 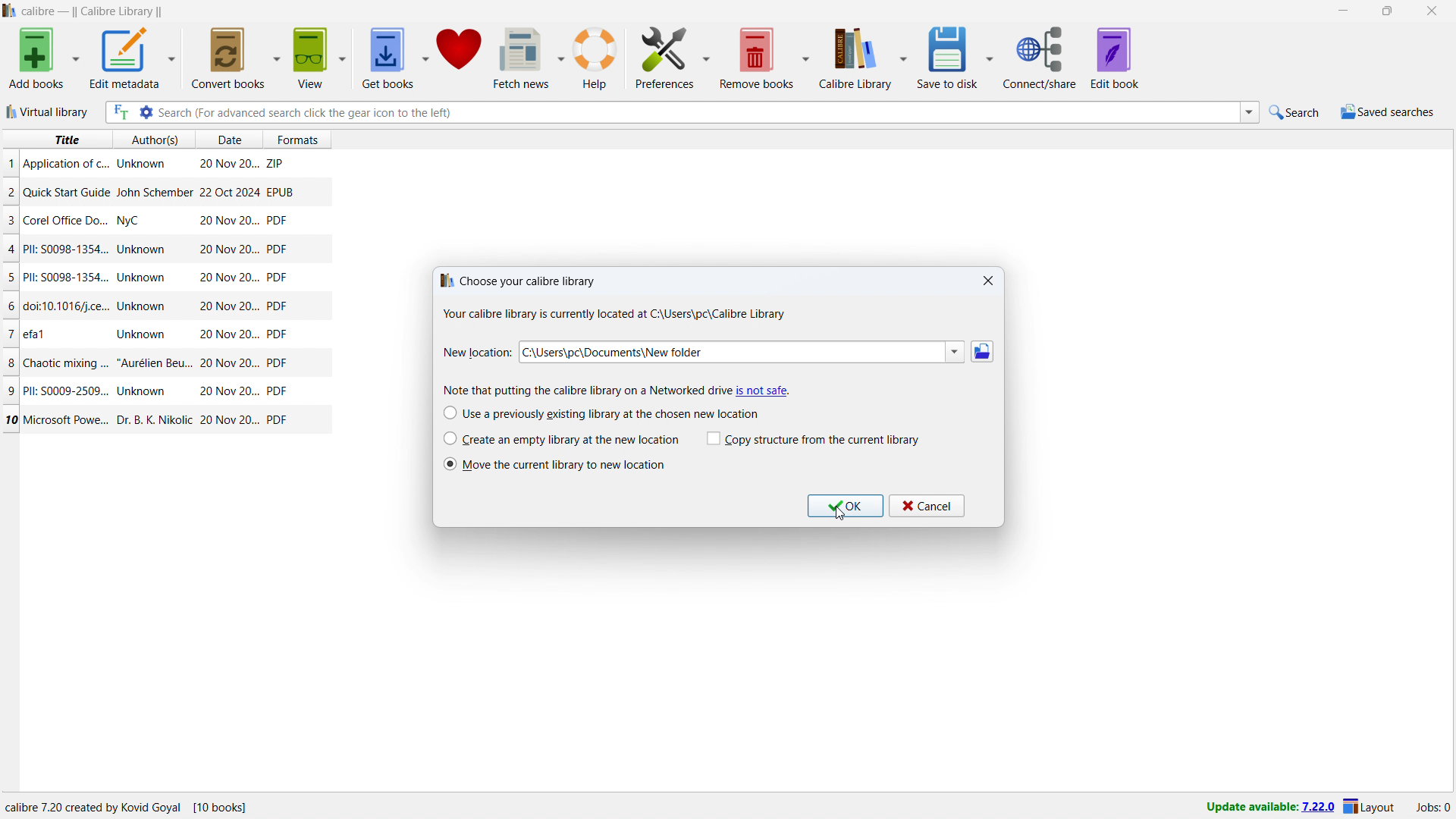 I want to click on remove books options, so click(x=805, y=58).